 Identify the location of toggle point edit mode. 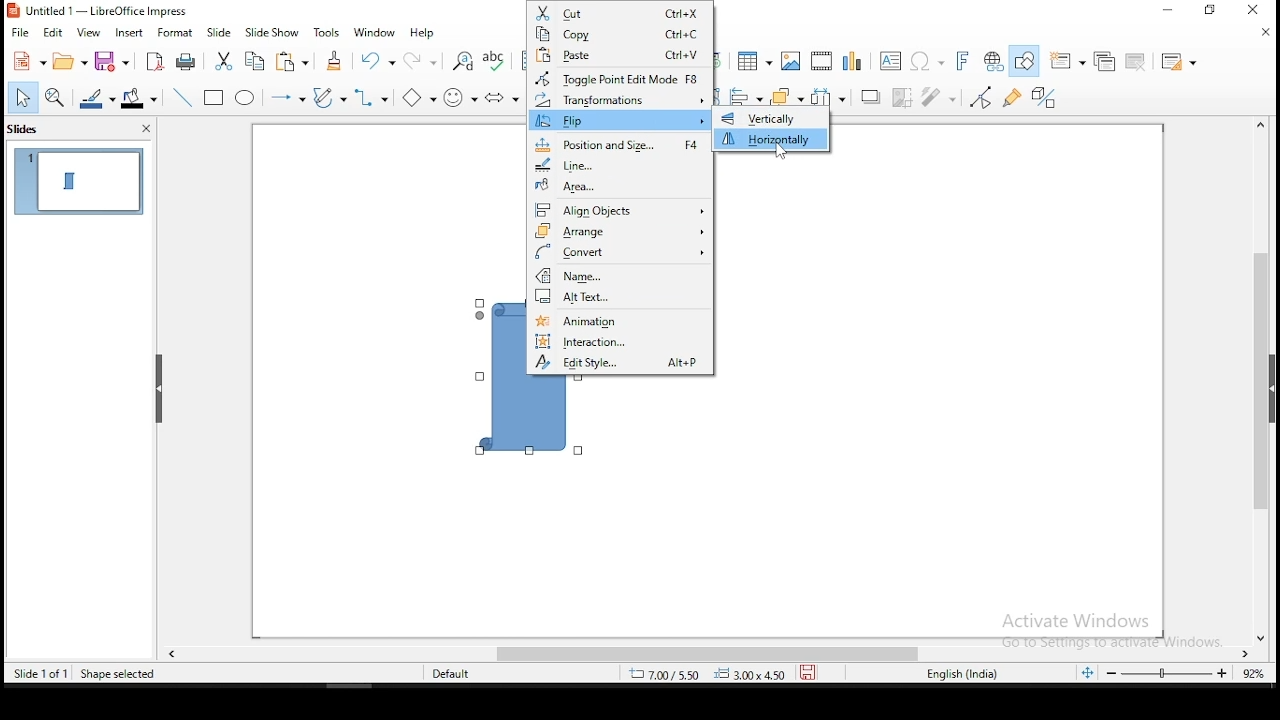
(619, 78).